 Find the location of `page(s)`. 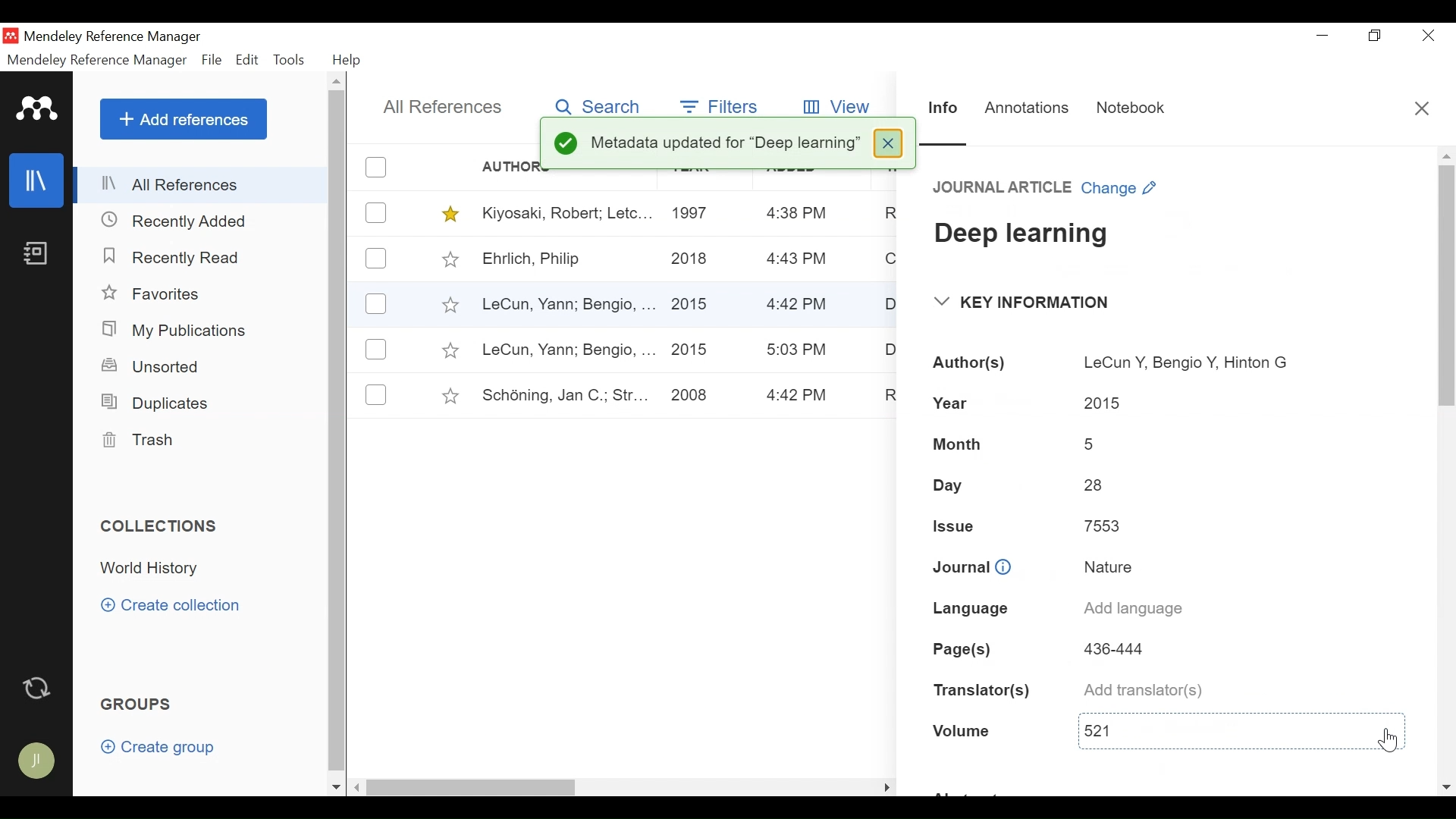

page(s) is located at coordinates (962, 649).